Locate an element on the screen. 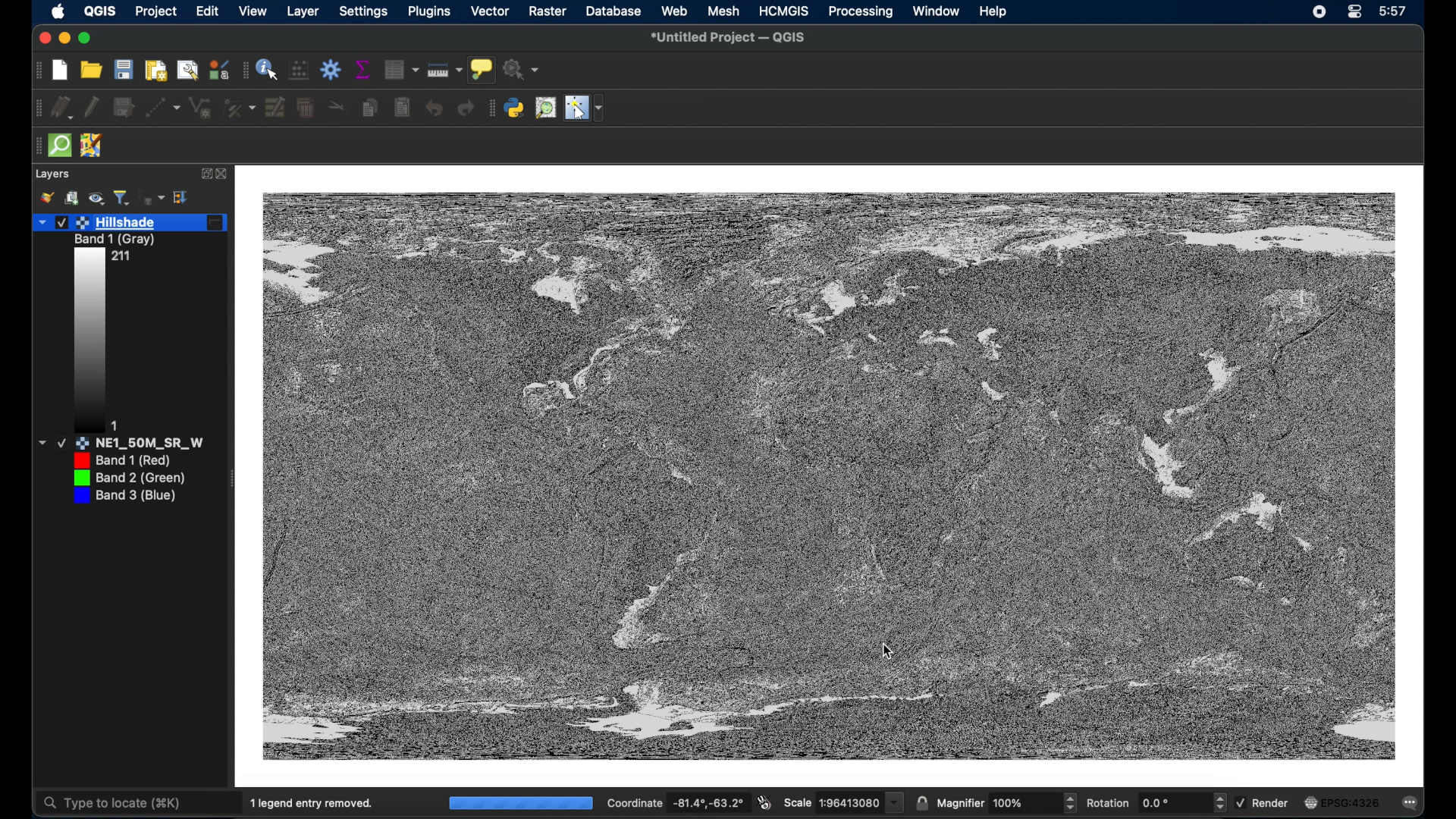  Band 3 (Blue) is located at coordinates (130, 499).